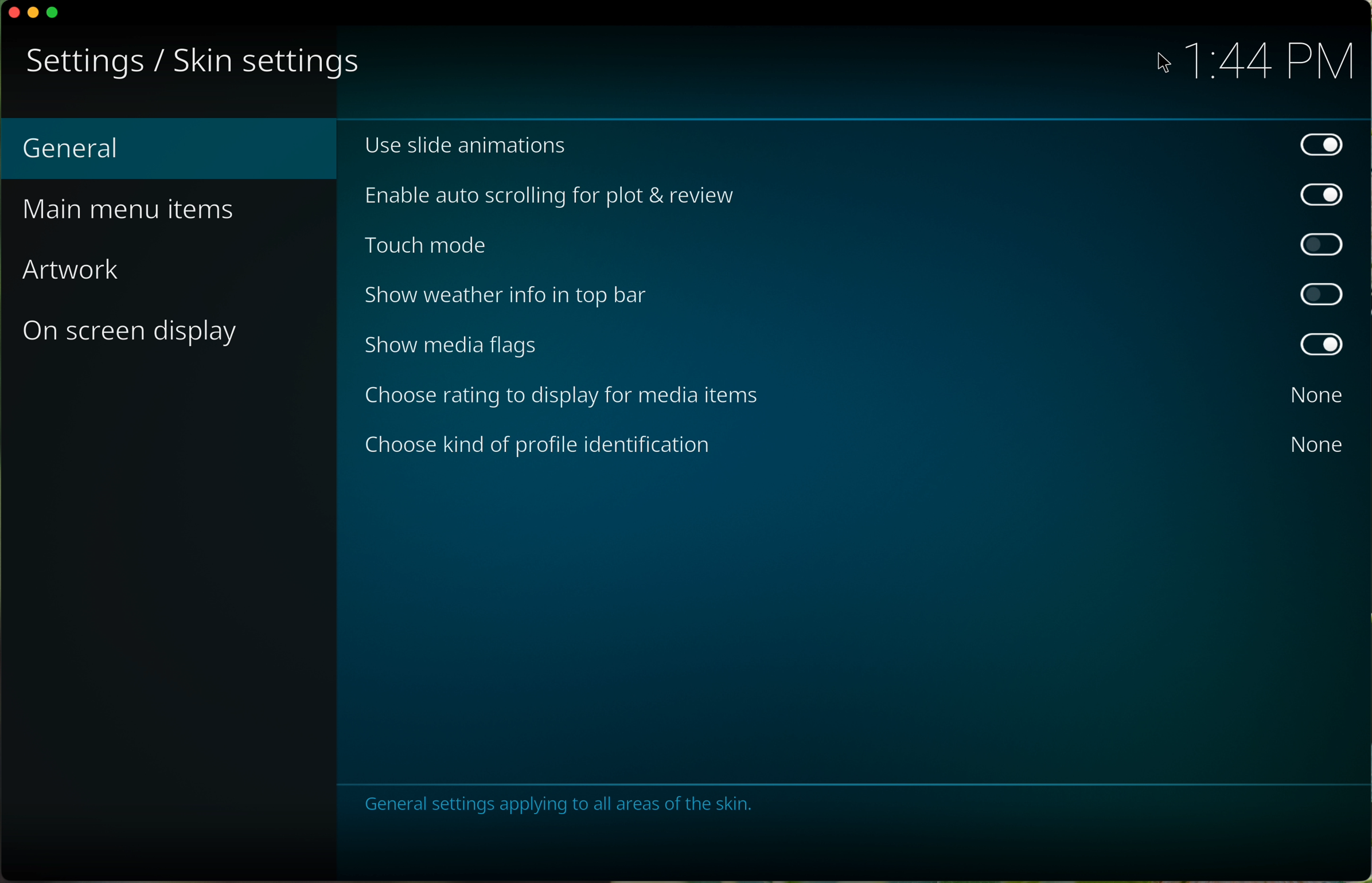 Image resolution: width=1372 pixels, height=883 pixels. What do you see at coordinates (849, 297) in the screenshot?
I see `disable show weather info in top bar` at bounding box center [849, 297].